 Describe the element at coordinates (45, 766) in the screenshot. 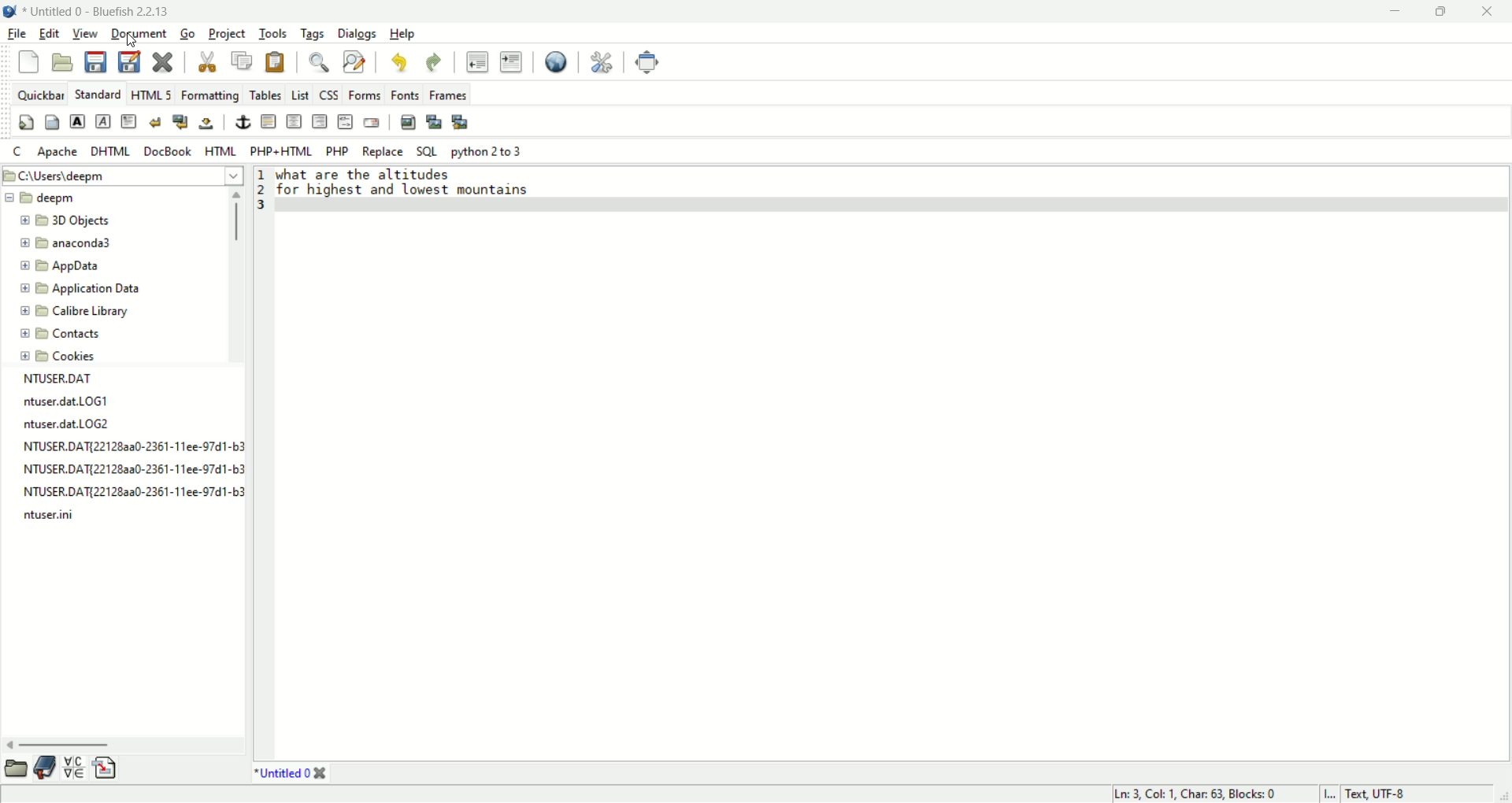

I see `documentation` at that location.